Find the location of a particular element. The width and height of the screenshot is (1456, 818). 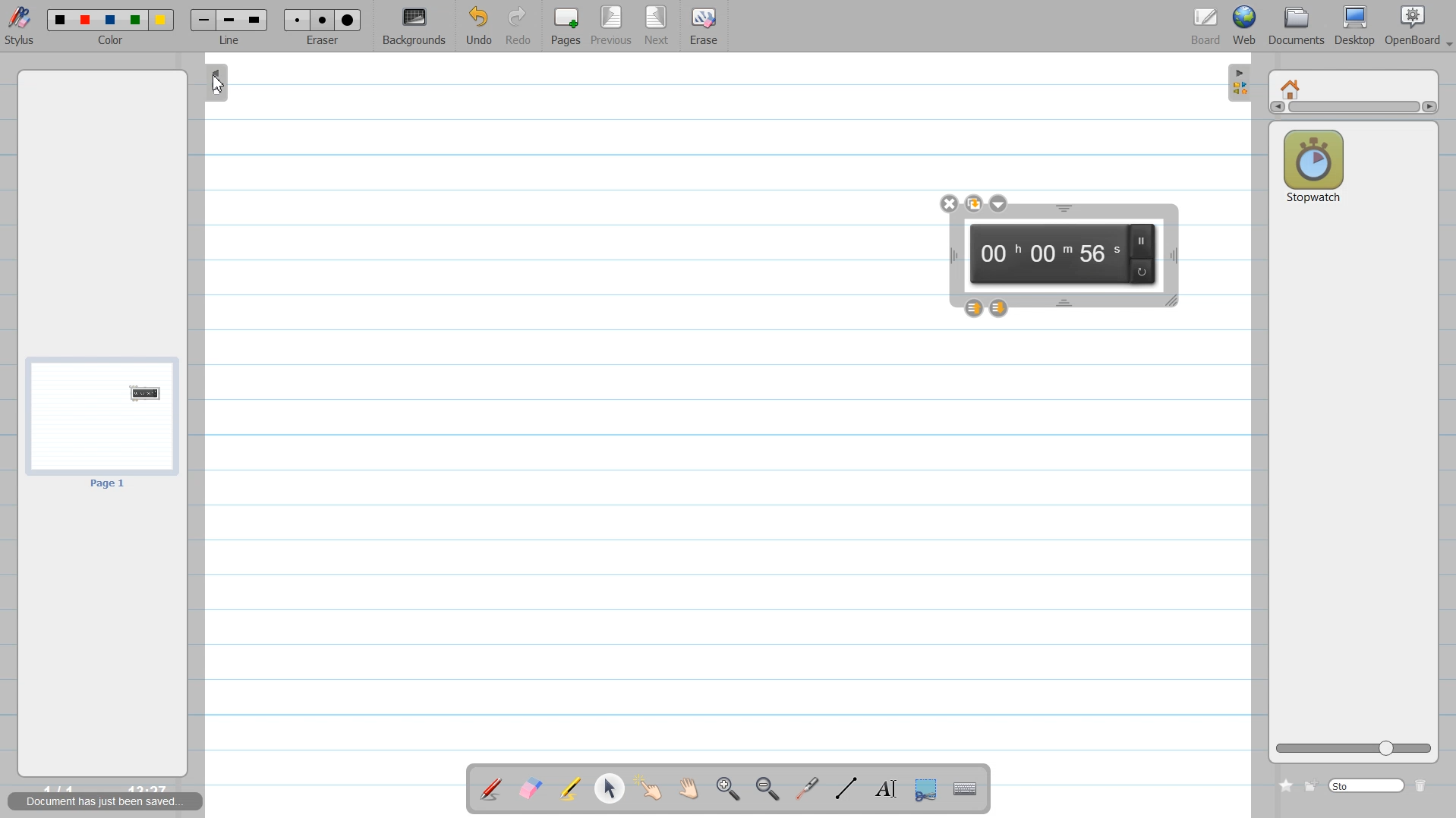

Delete is located at coordinates (1424, 785).